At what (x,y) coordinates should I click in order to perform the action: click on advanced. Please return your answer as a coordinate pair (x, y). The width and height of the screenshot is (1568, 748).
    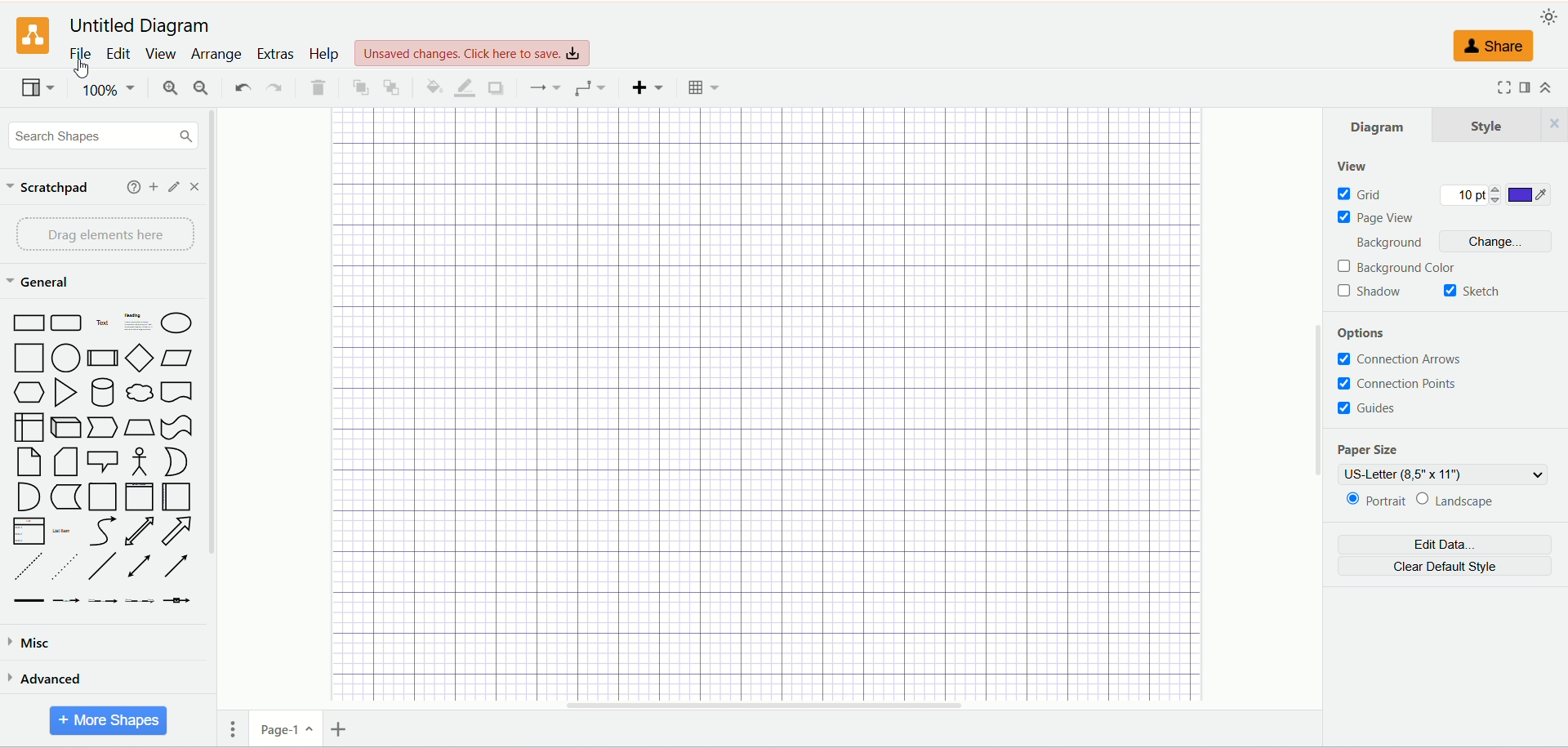
    Looking at the image, I should click on (100, 679).